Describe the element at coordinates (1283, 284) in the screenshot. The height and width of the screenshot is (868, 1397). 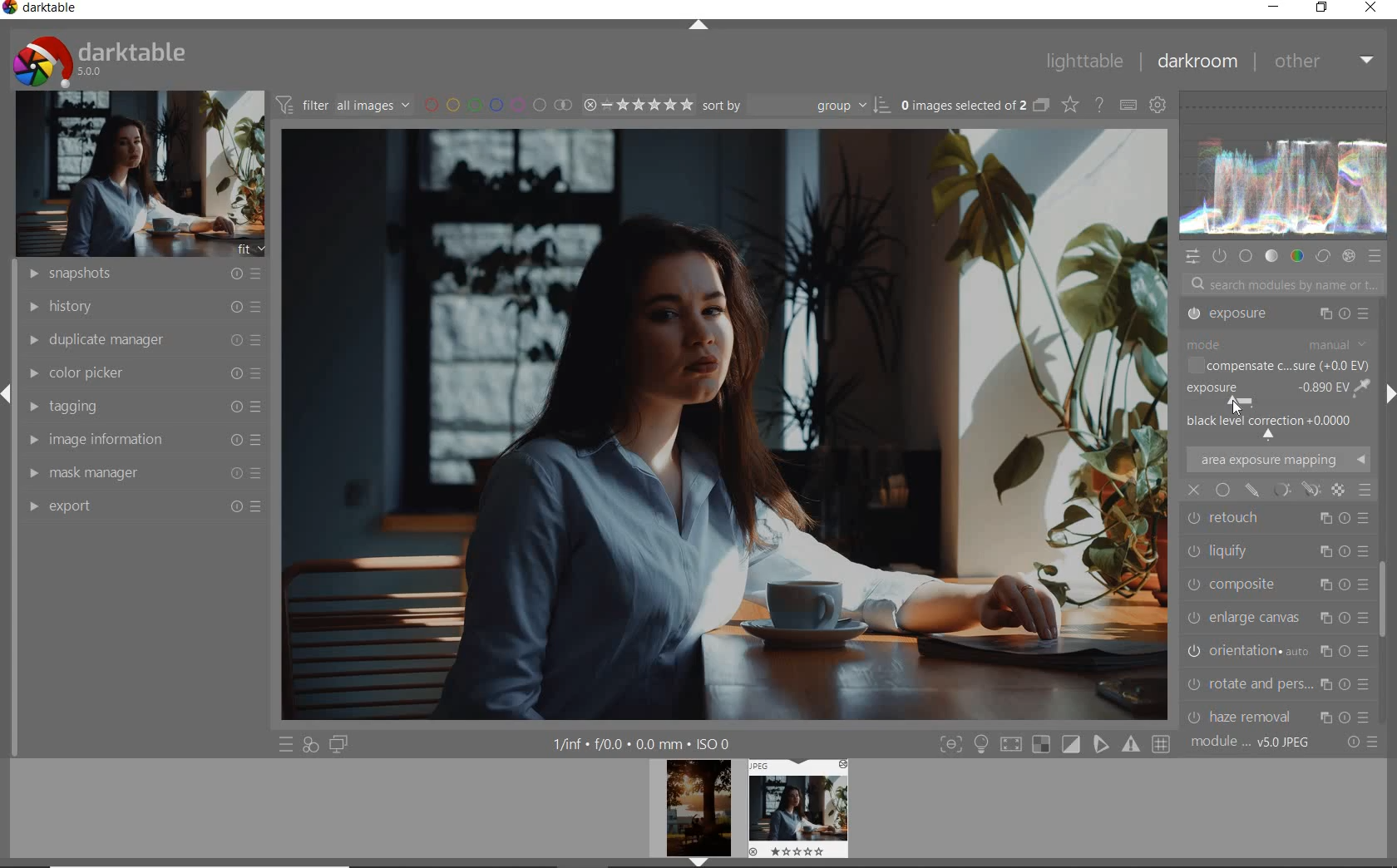
I see `SEARCH MODULES` at that location.